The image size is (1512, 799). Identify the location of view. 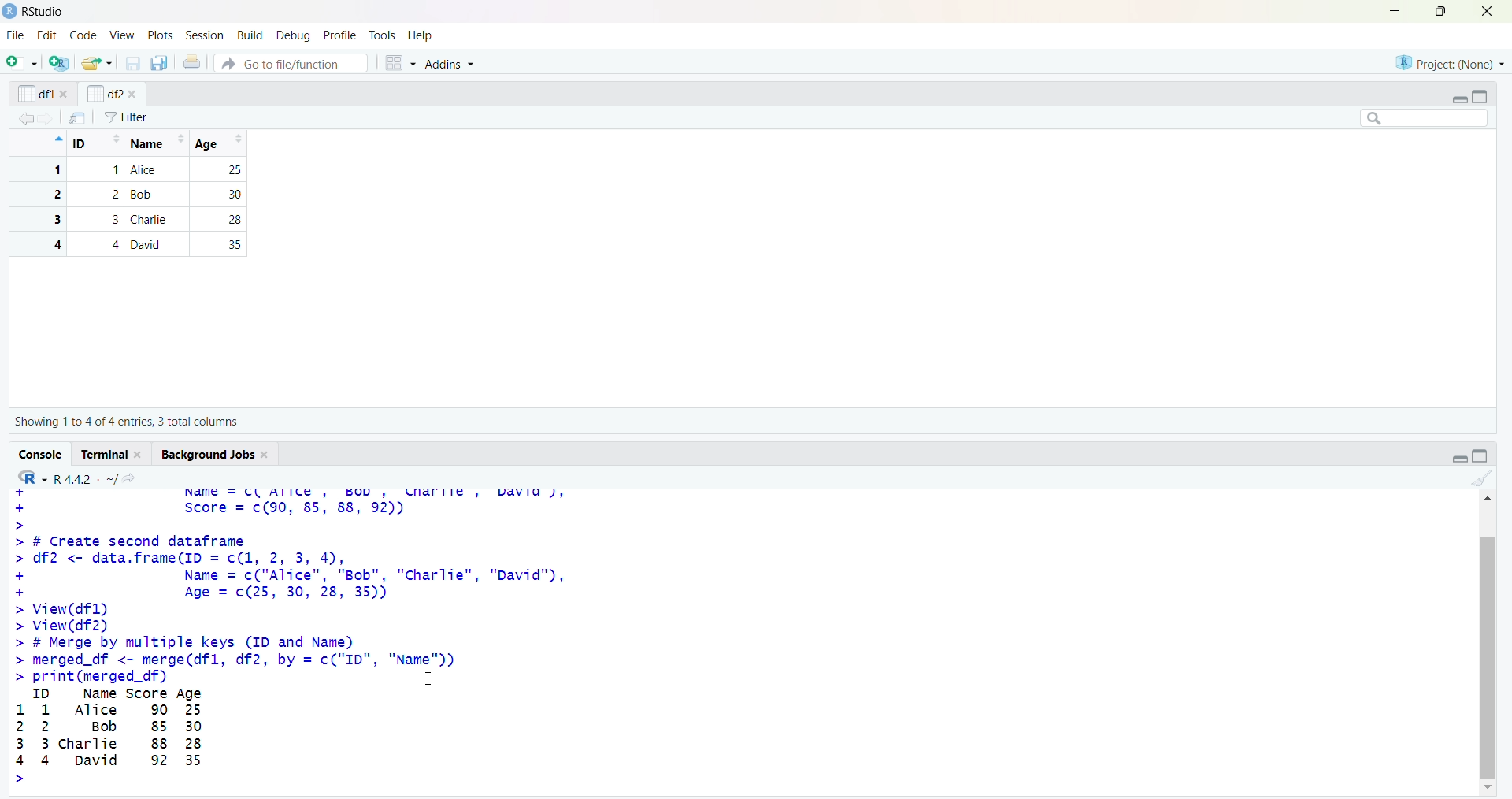
(123, 36).